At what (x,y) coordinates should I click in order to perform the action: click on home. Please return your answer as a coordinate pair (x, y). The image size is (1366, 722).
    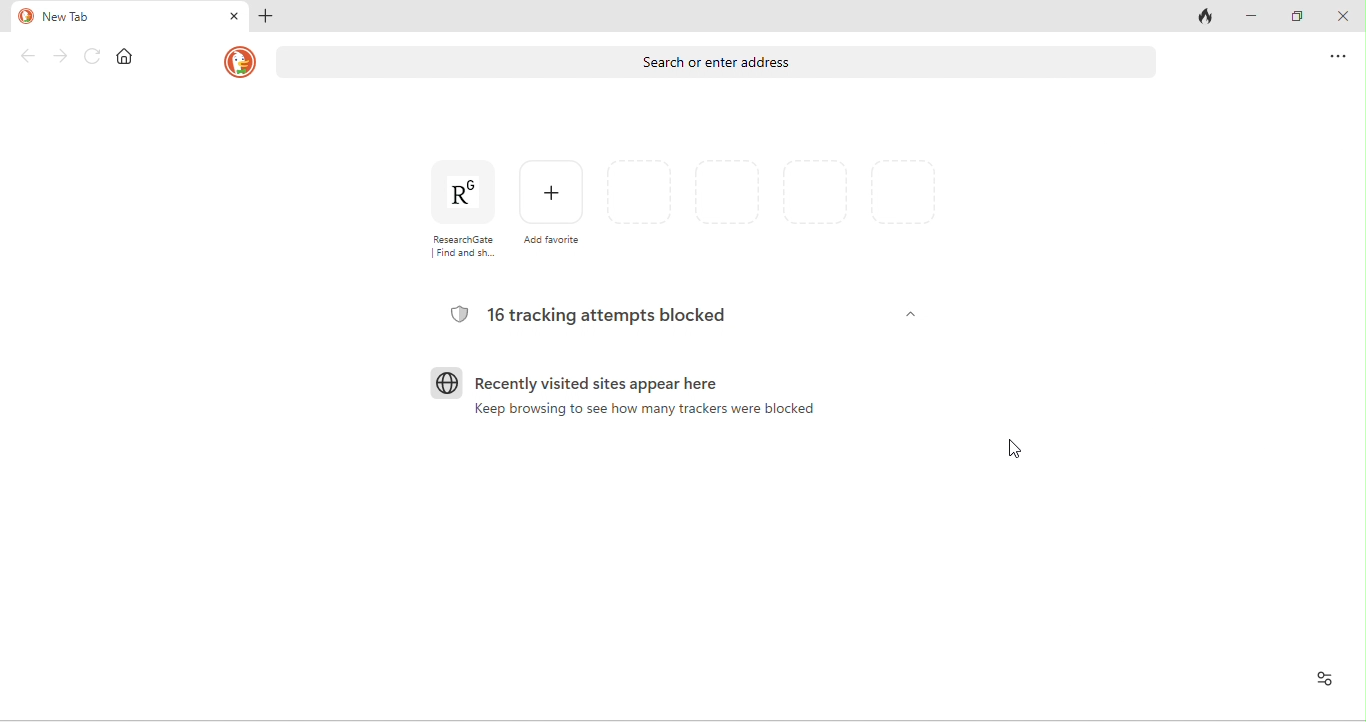
    Looking at the image, I should click on (130, 57).